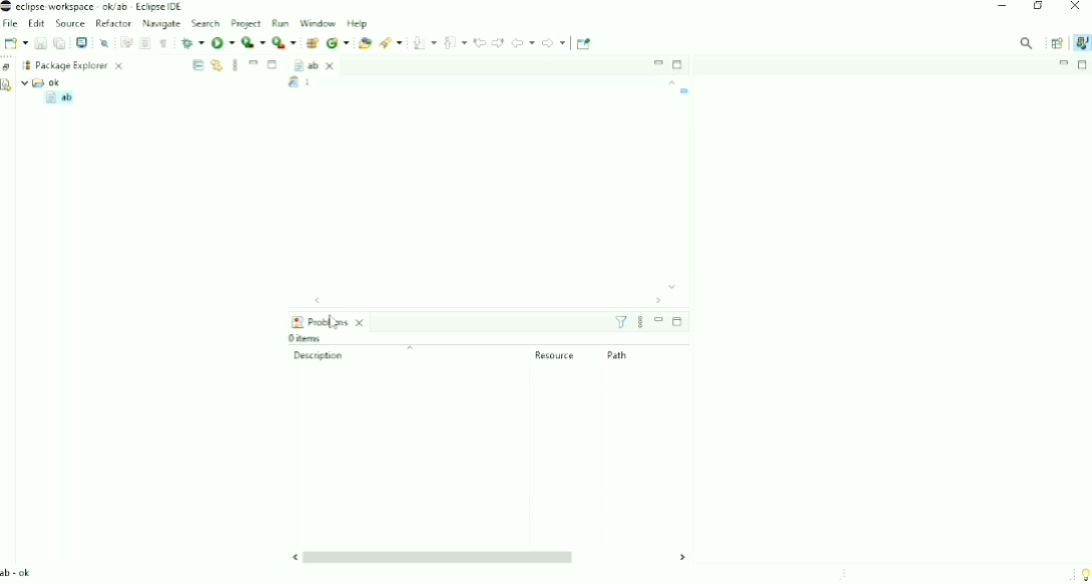 Image resolution: width=1092 pixels, height=584 pixels. I want to click on Open Perspective, so click(1055, 42).